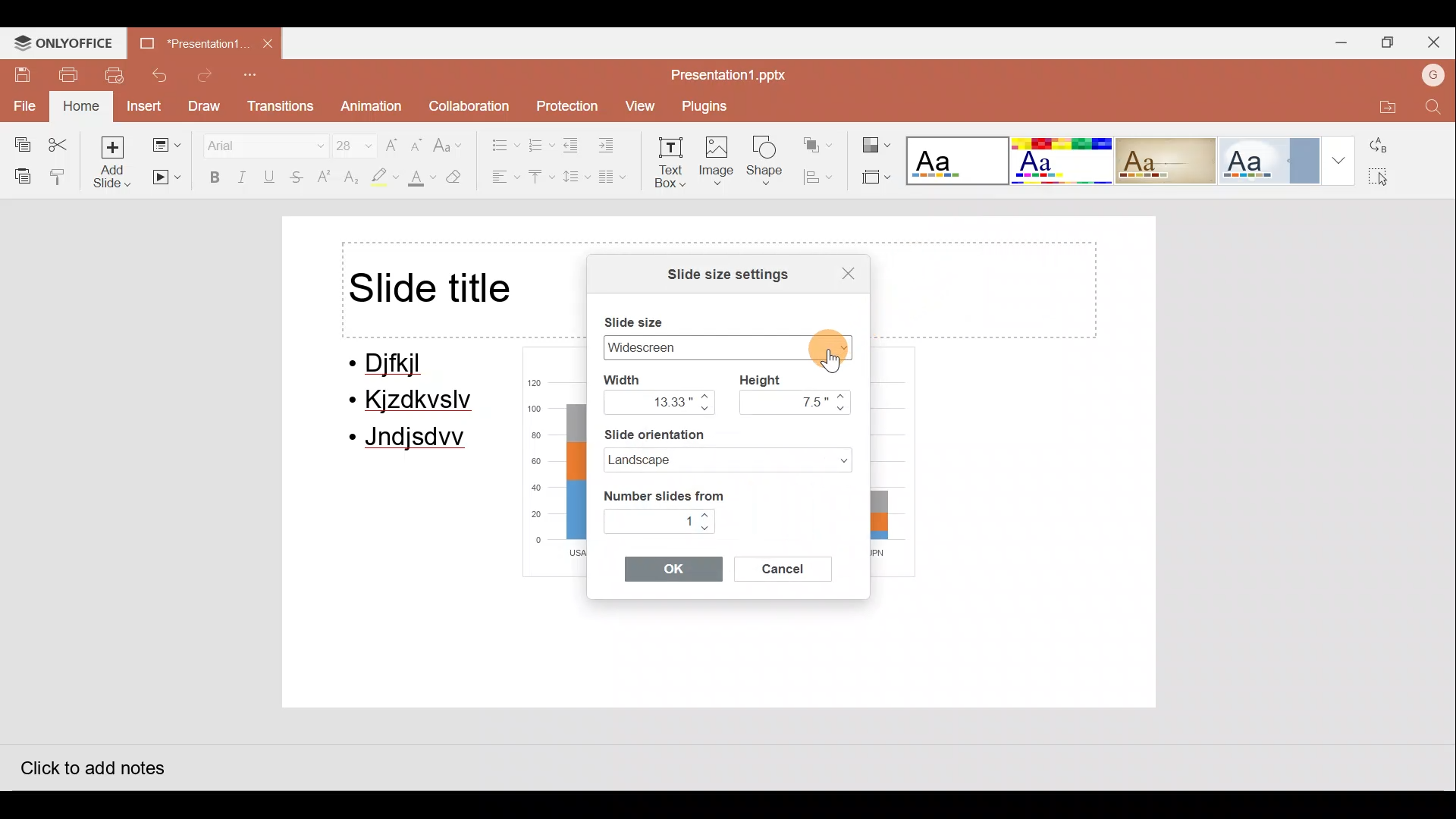  I want to click on Theme 4, so click(1275, 159).